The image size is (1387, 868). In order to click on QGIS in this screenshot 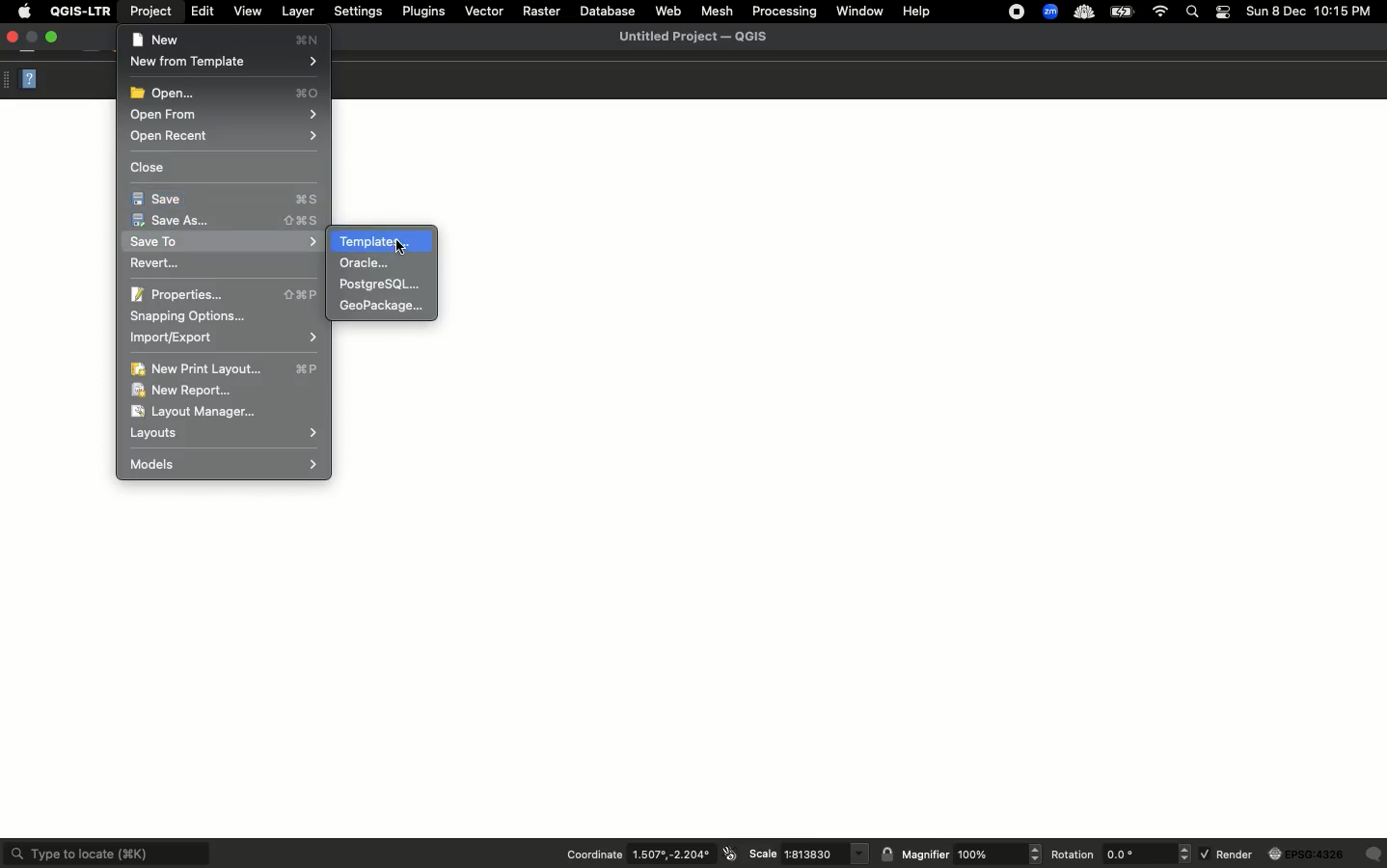, I will do `click(80, 10)`.